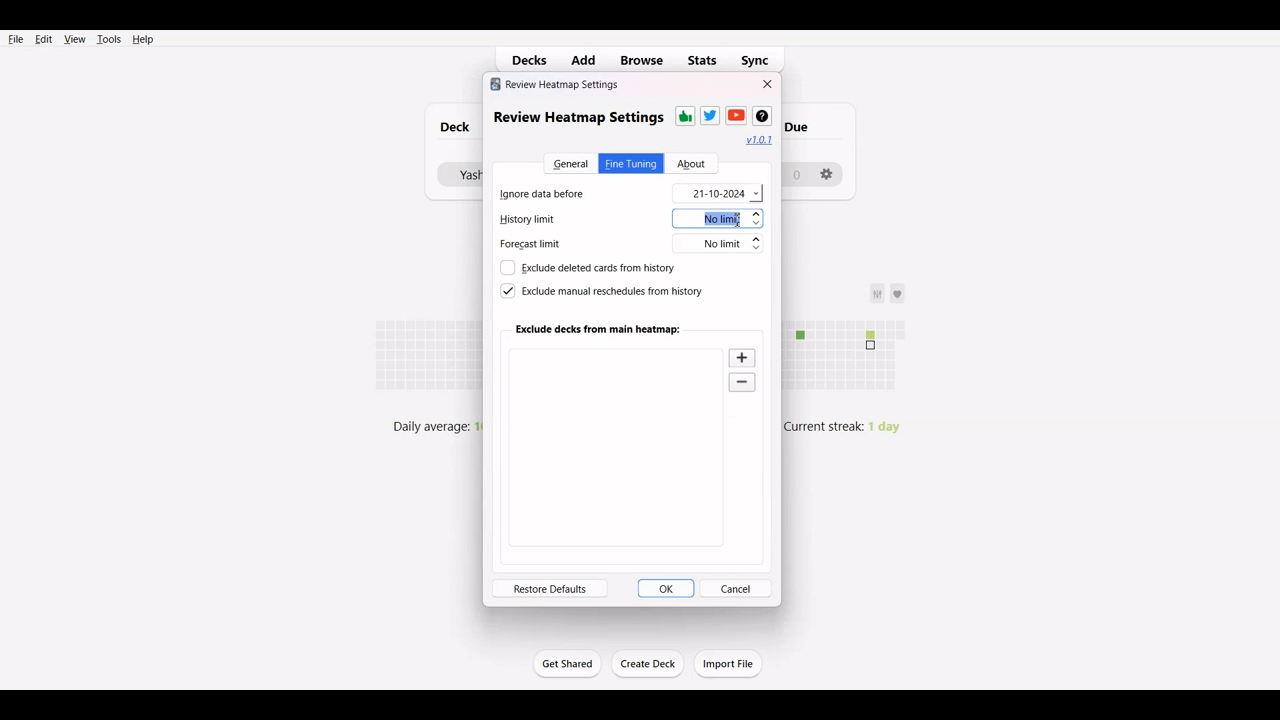  Describe the element at coordinates (16, 38) in the screenshot. I see `File` at that location.